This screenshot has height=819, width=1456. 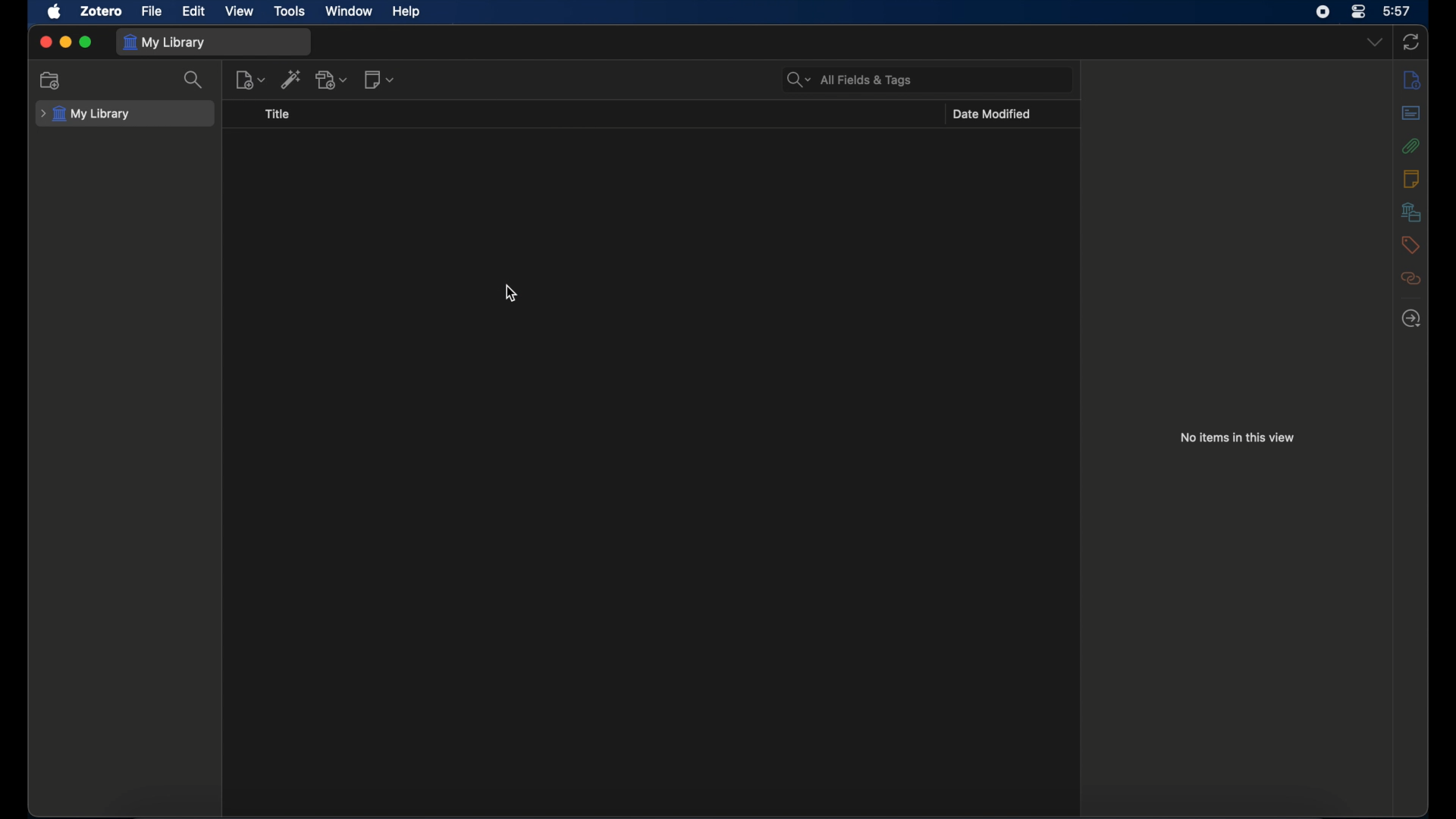 I want to click on info, so click(x=1412, y=79).